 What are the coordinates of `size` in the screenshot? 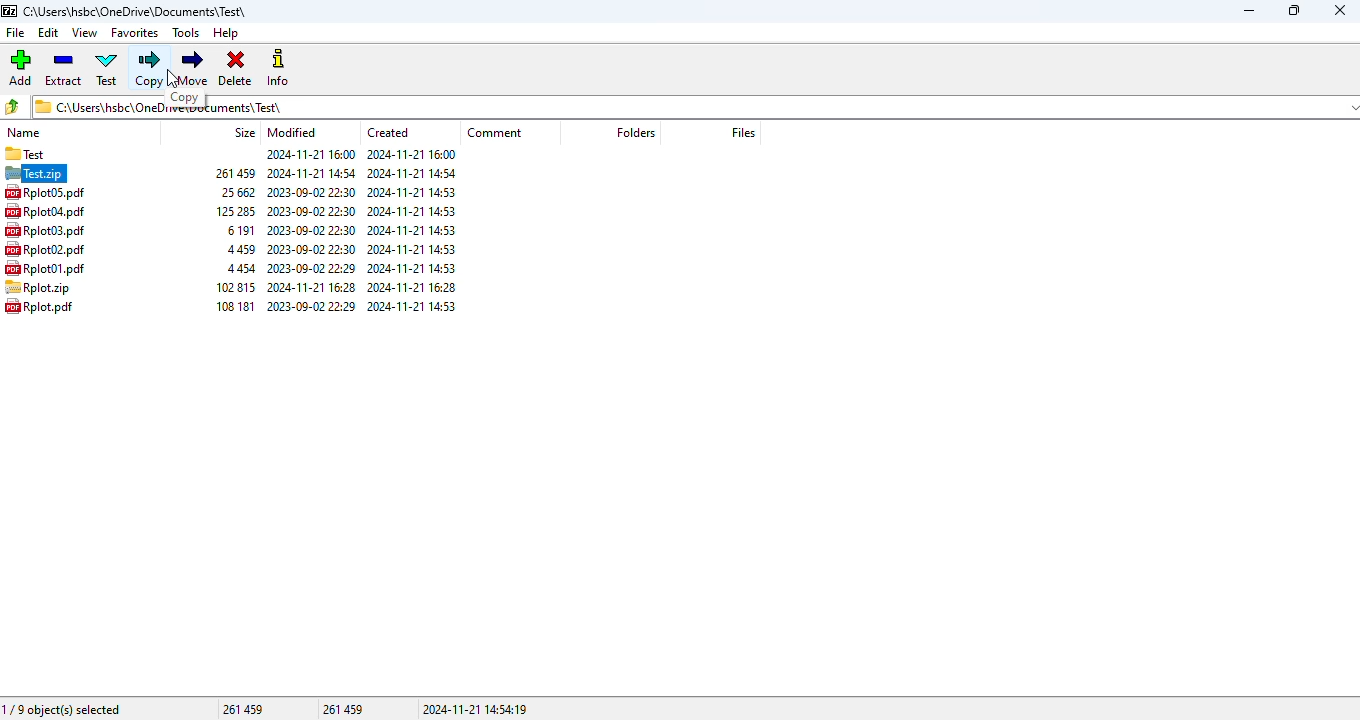 It's located at (241, 268).